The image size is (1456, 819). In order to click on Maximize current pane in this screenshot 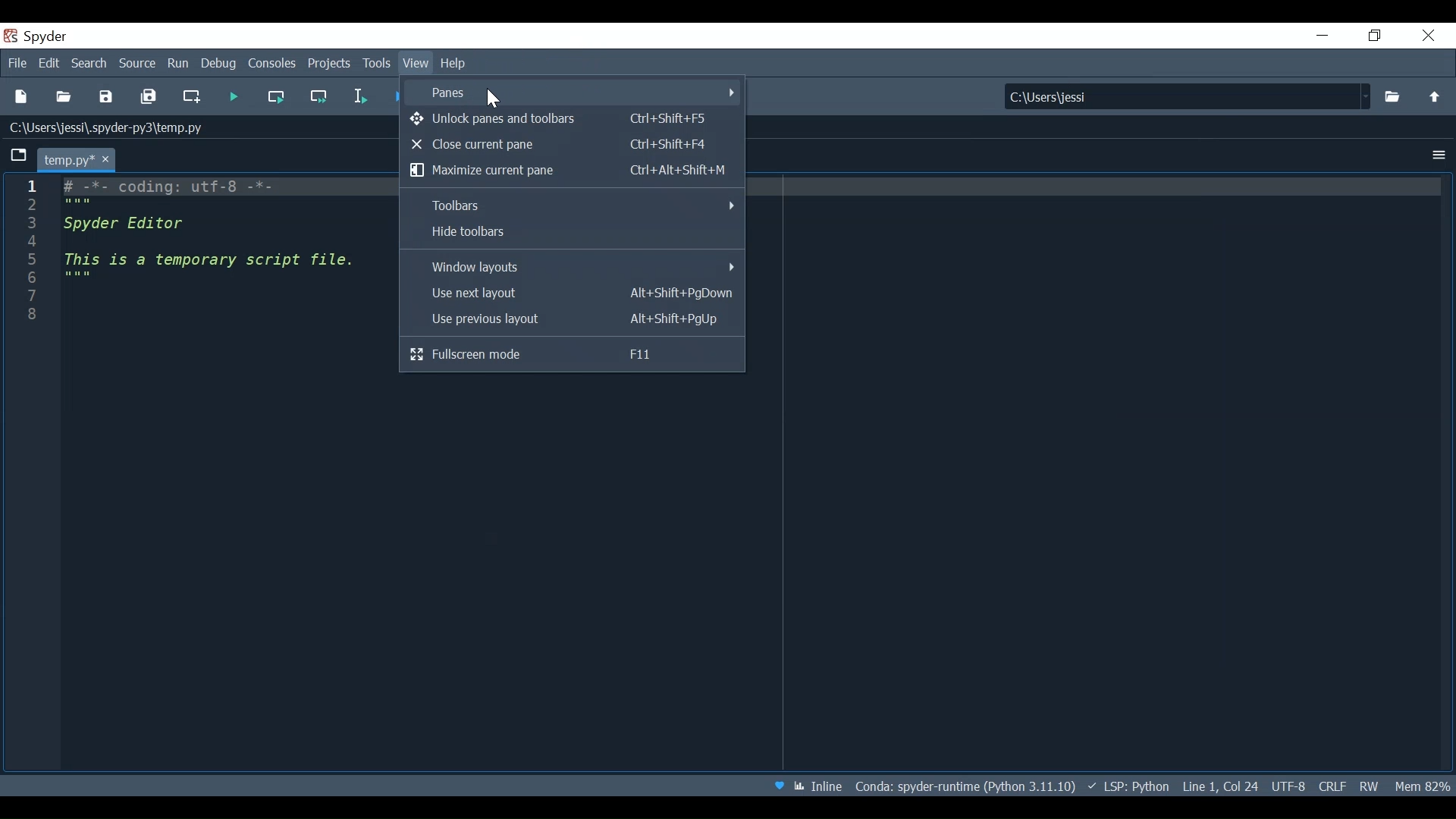, I will do `click(570, 170)`.